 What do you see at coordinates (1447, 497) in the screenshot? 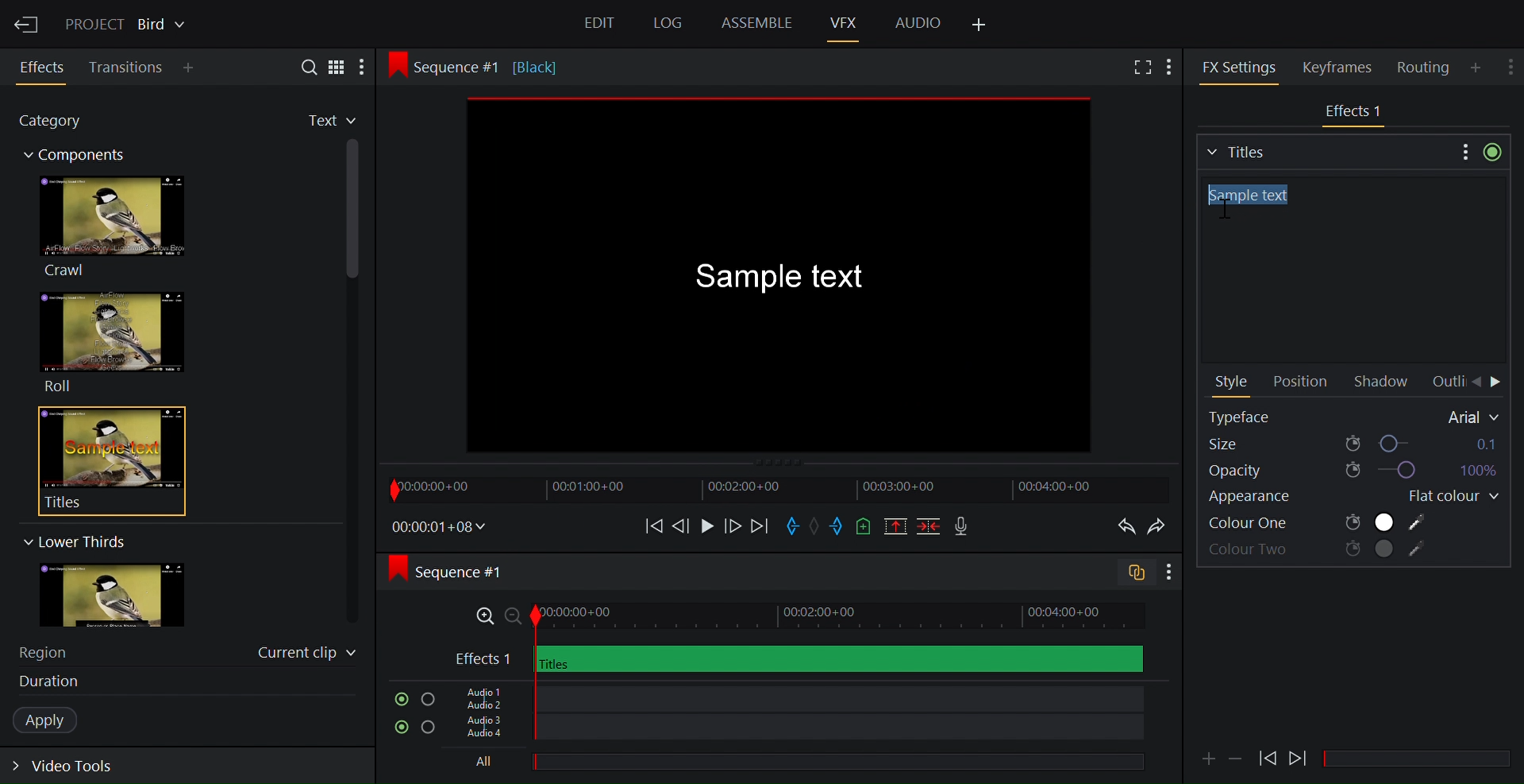
I see `Flat colour` at bounding box center [1447, 497].